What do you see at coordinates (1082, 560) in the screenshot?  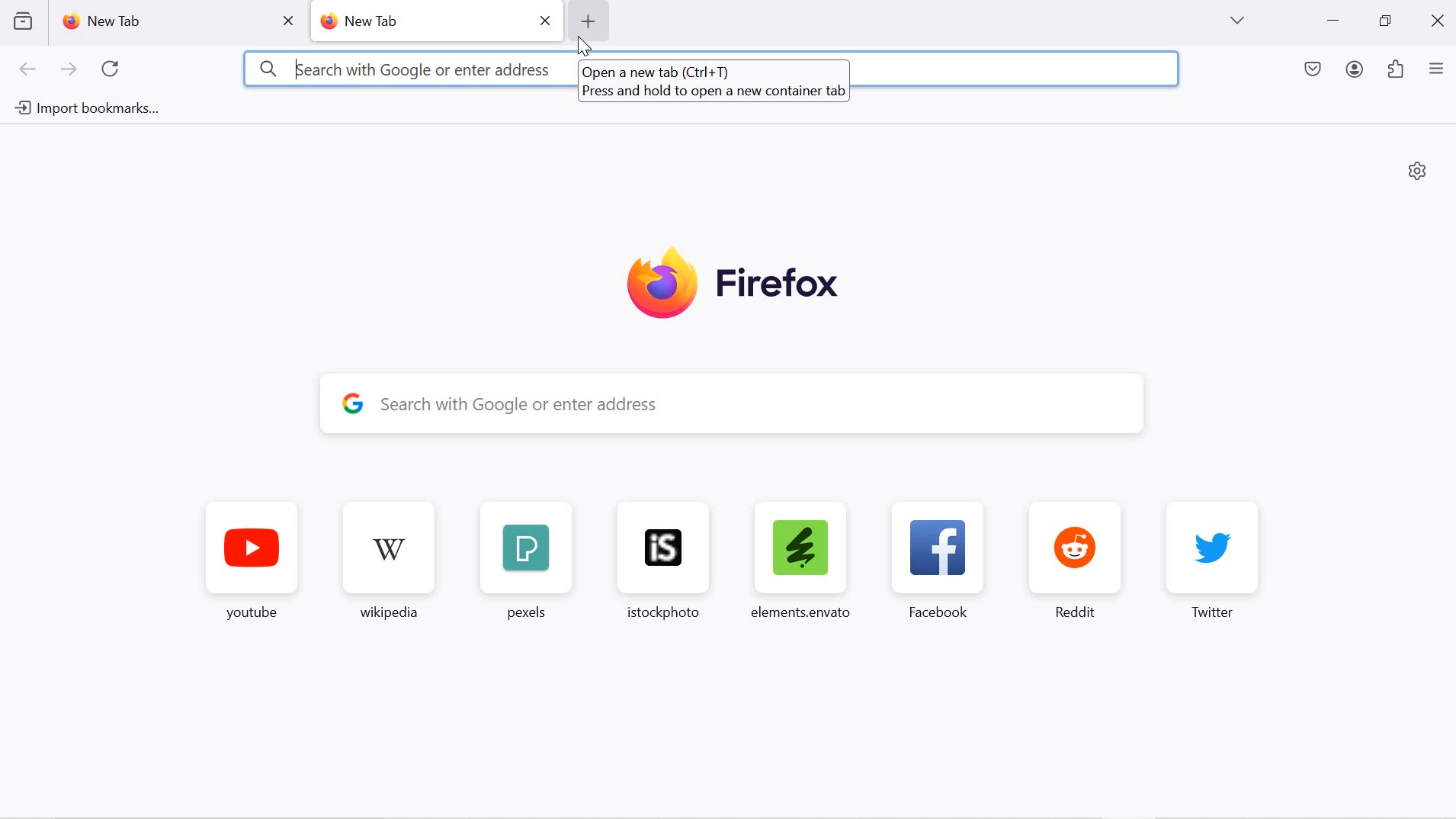 I see `reddit favorite` at bounding box center [1082, 560].